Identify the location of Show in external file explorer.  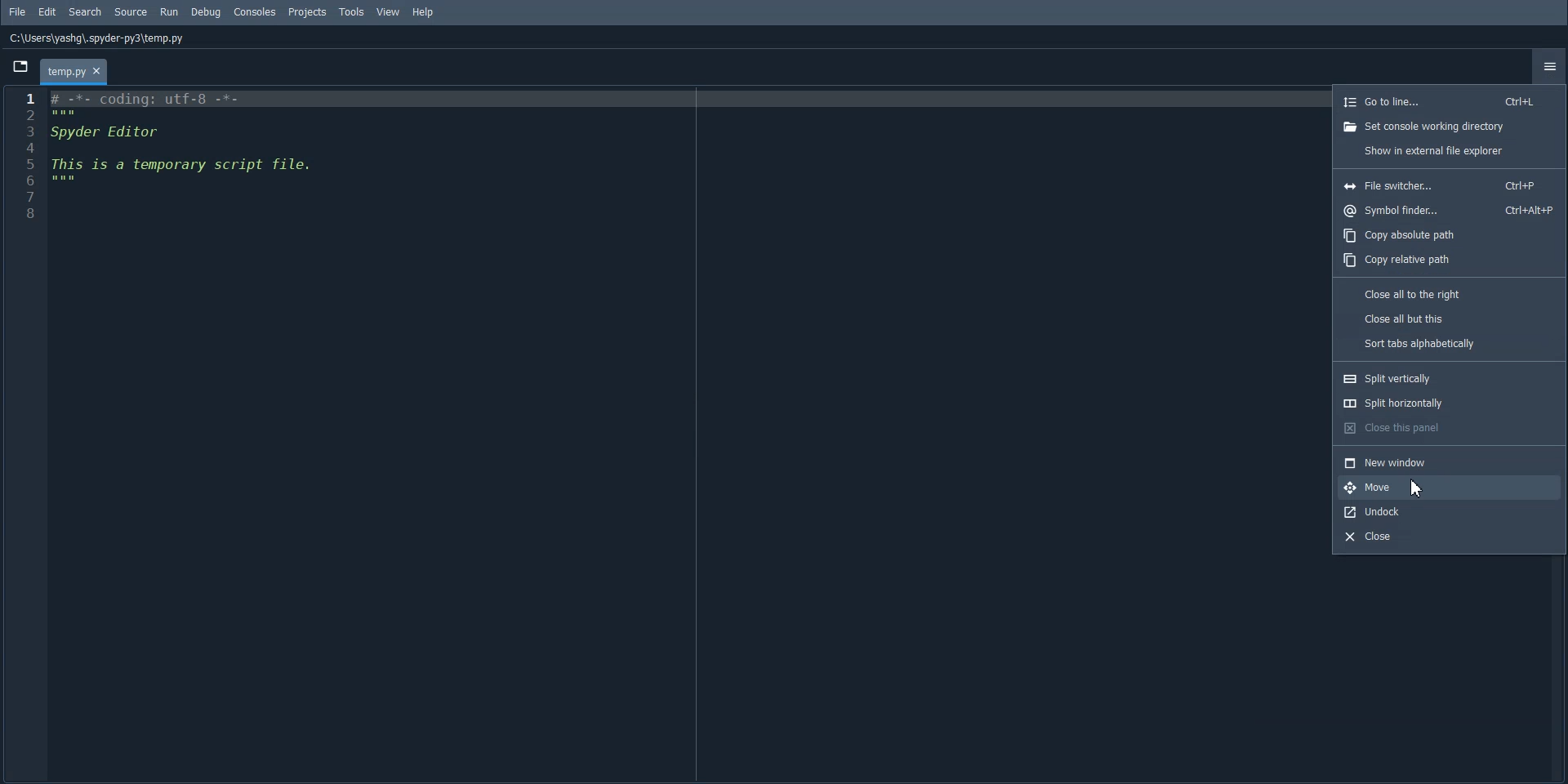
(1448, 151).